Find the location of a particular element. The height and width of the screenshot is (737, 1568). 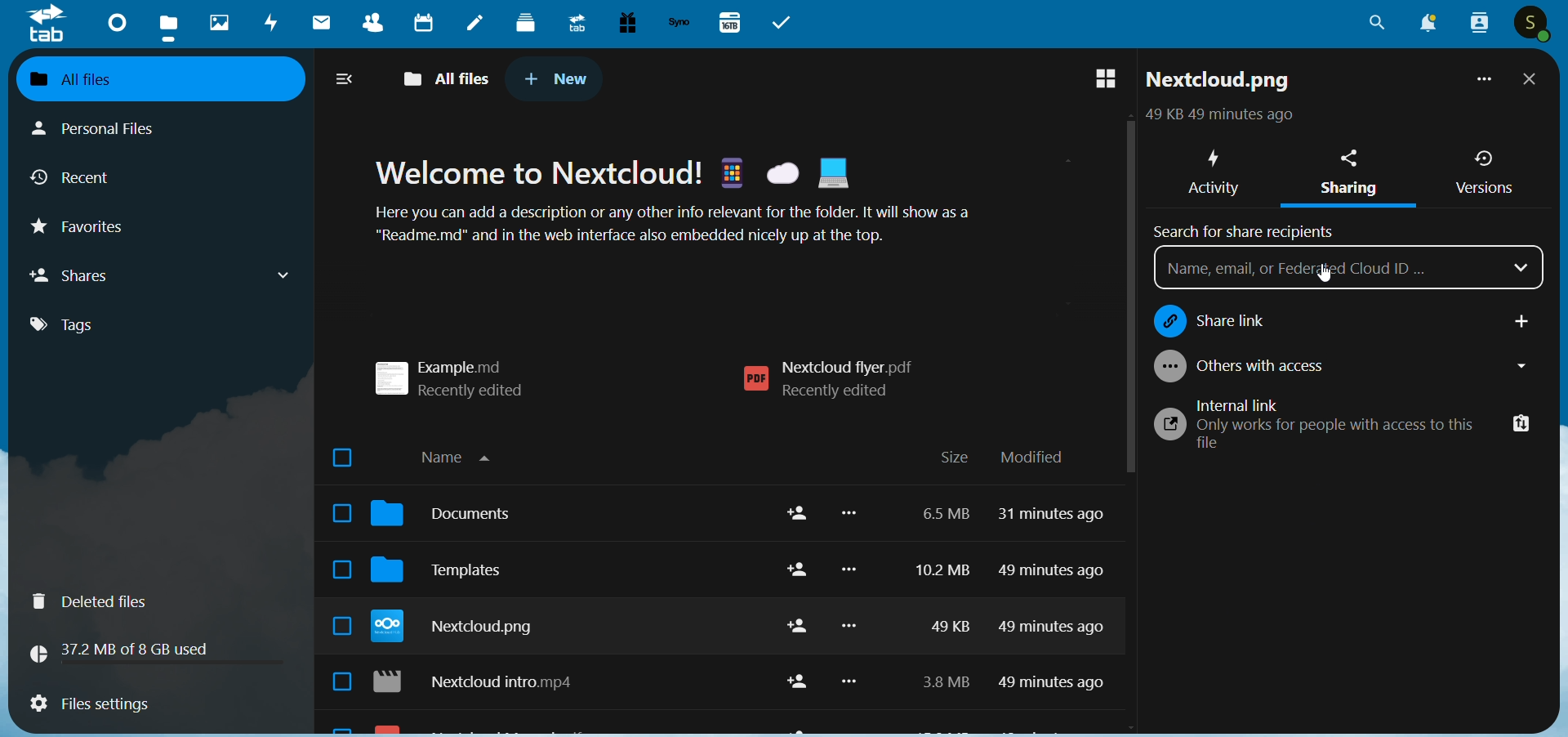

mail is located at coordinates (318, 25).